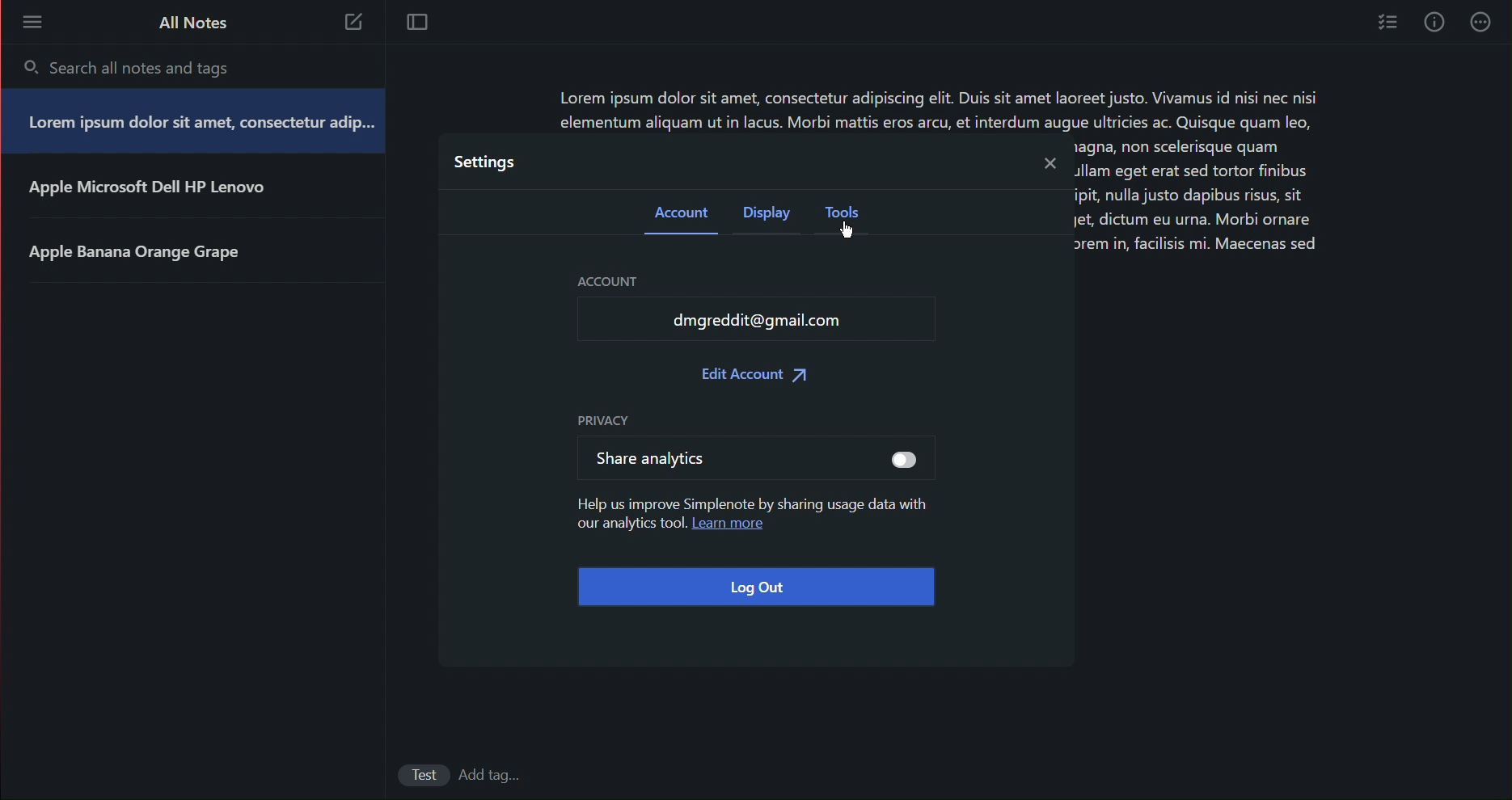 This screenshot has width=1512, height=800. Describe the element at coordinates (420, 24) in the screenshot. I see `Focus Mode` at that location.